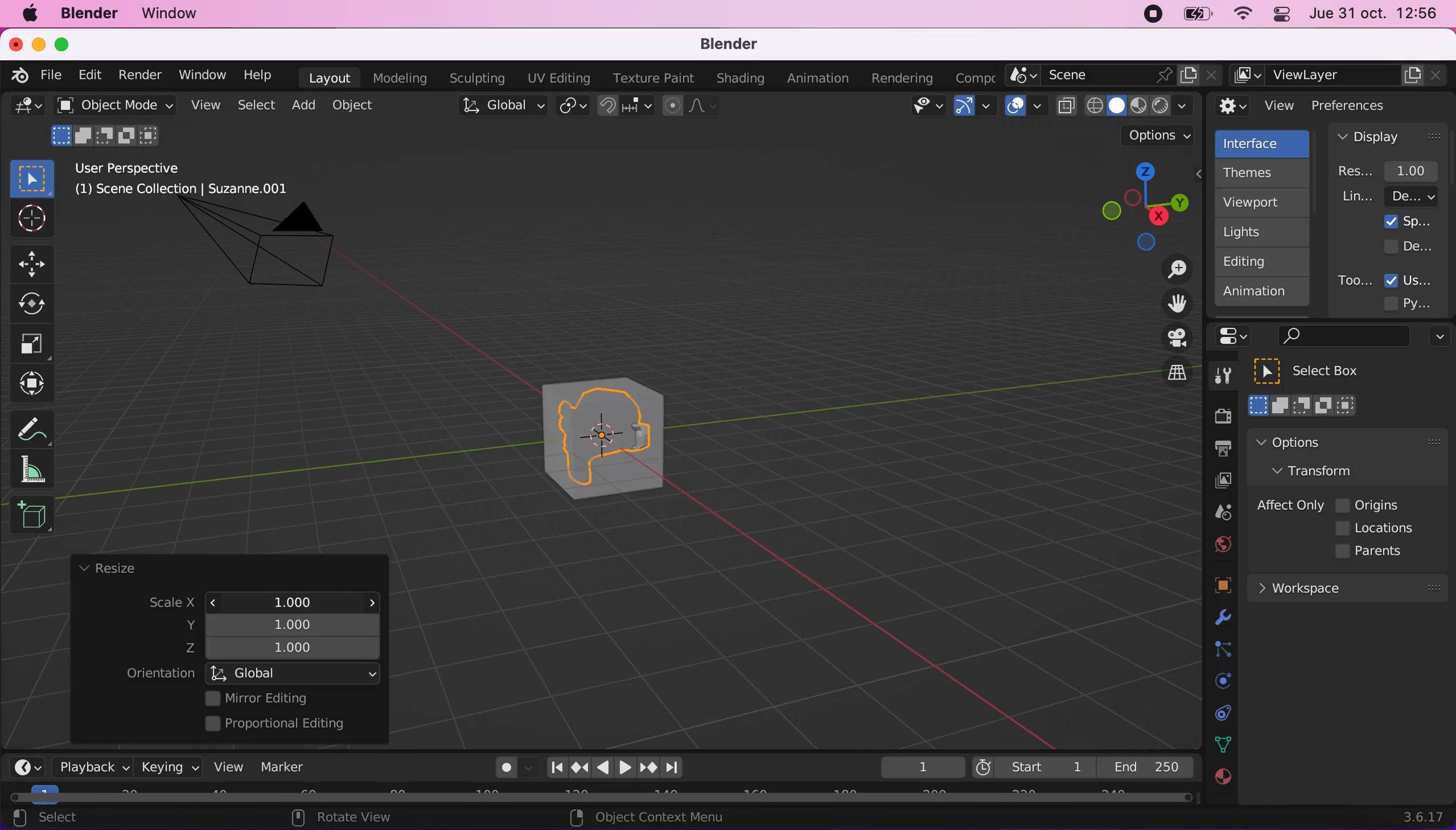 The width and height of the screenshot is (1456, 830). Describe the element at coordinates (1369, 503) in the screenshot. I see `origins` at that location.